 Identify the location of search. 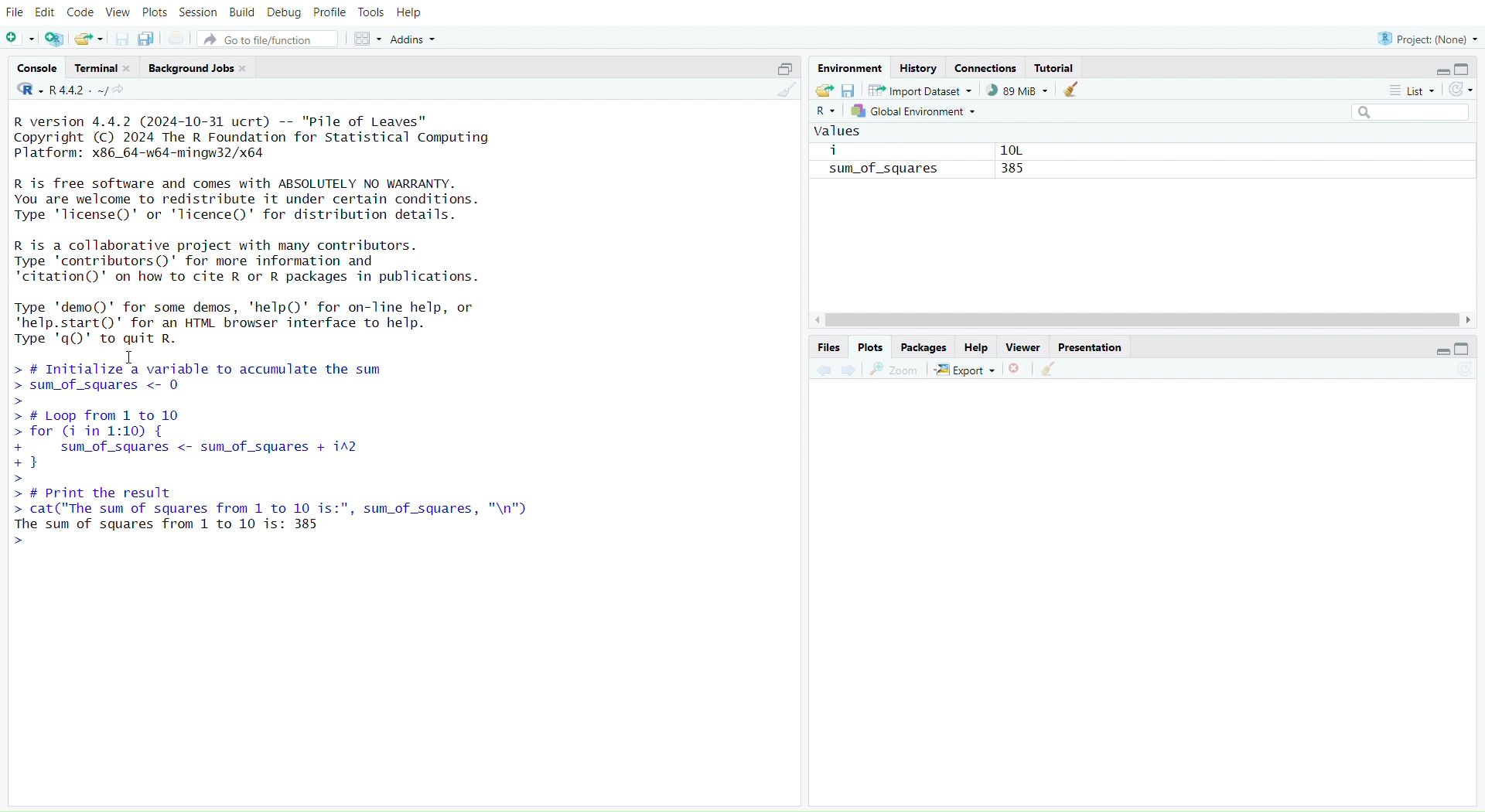
(1405, 112).